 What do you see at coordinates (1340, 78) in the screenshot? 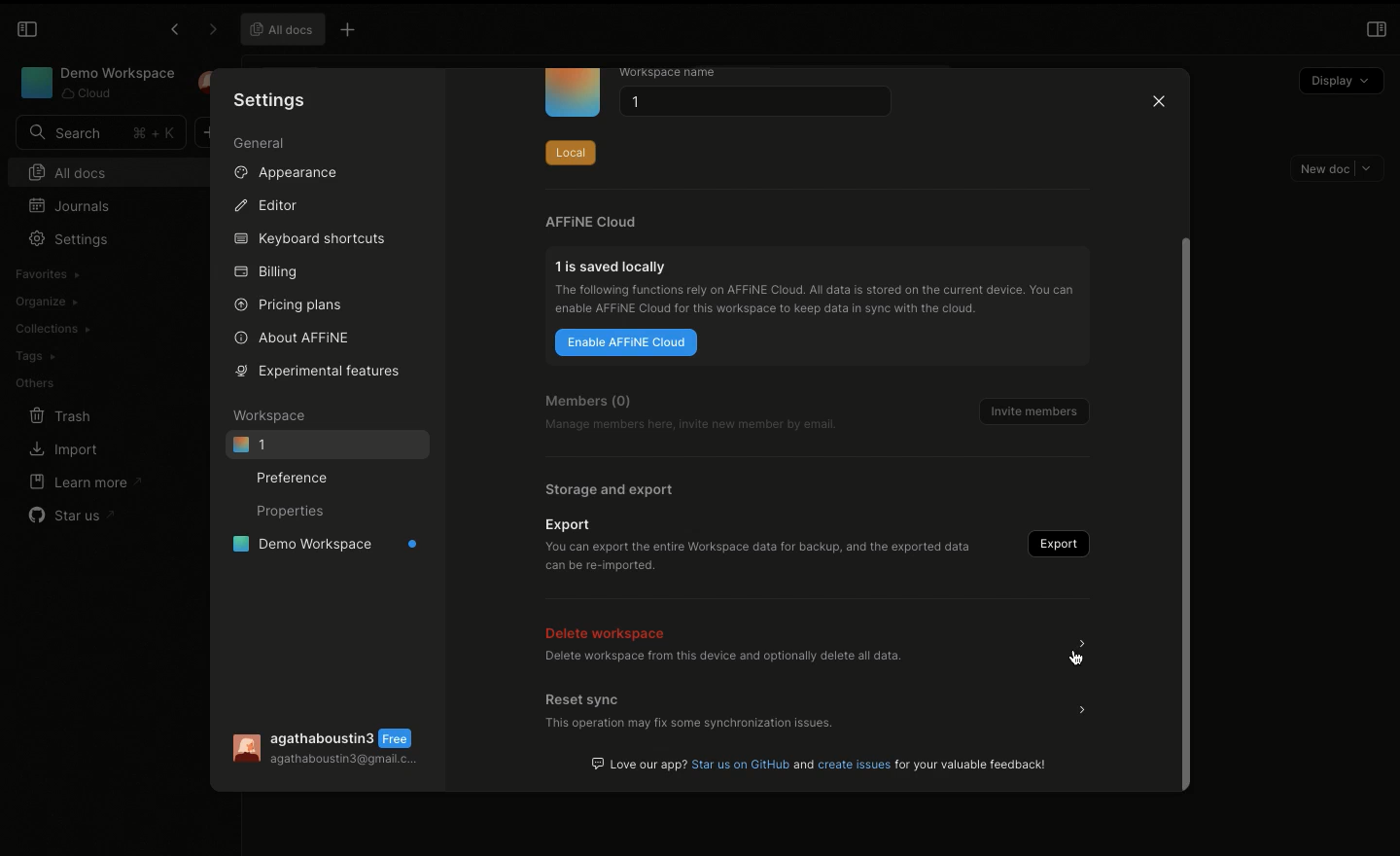
I see `Display` at bounding box center [1340, 78].